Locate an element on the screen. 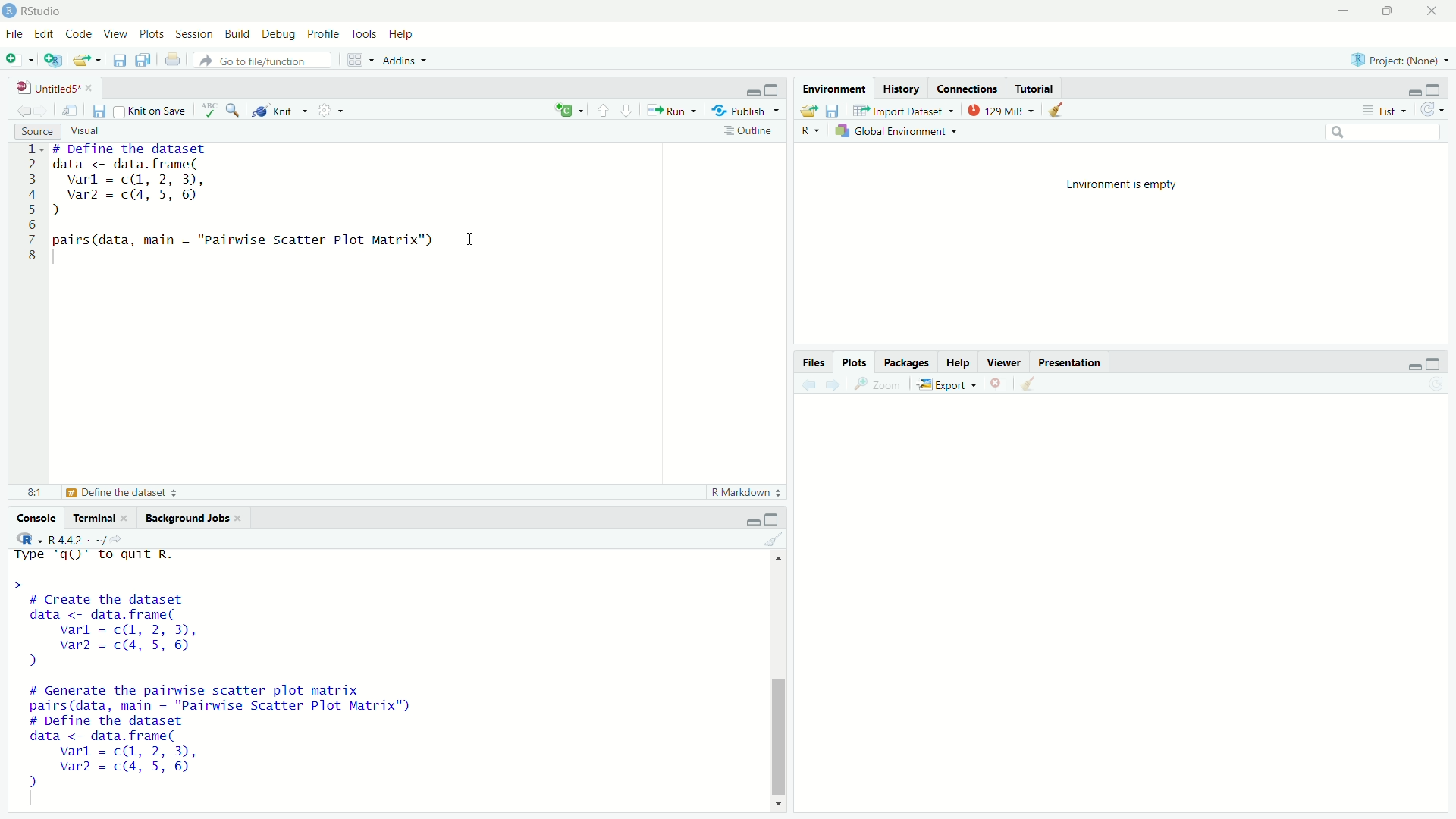 The width and height of the screenshot is (1456, 819). # Define the dataset is located at coordinates (125, 493).